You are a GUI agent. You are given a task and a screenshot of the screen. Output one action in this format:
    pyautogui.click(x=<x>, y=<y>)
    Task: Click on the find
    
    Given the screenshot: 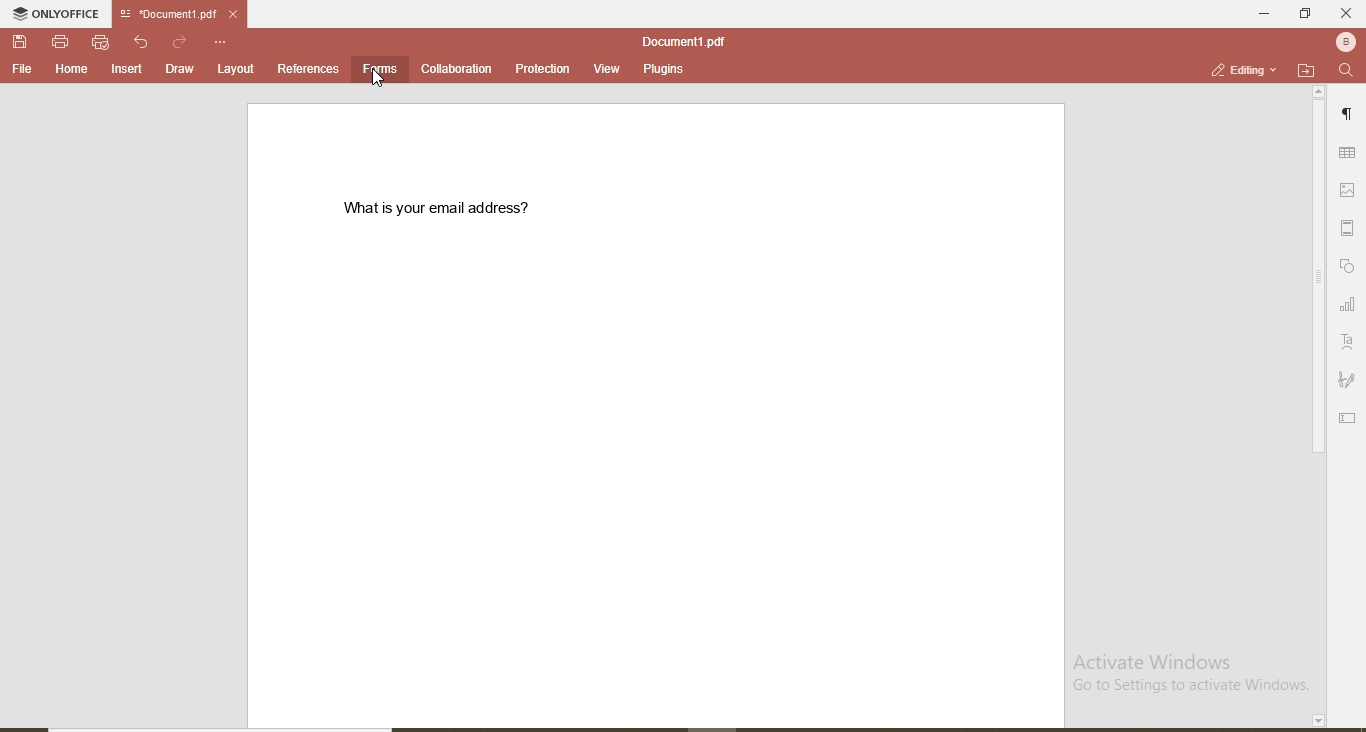 What is the action you would take?
    pyautogui.click(x=1346, y=71)
    